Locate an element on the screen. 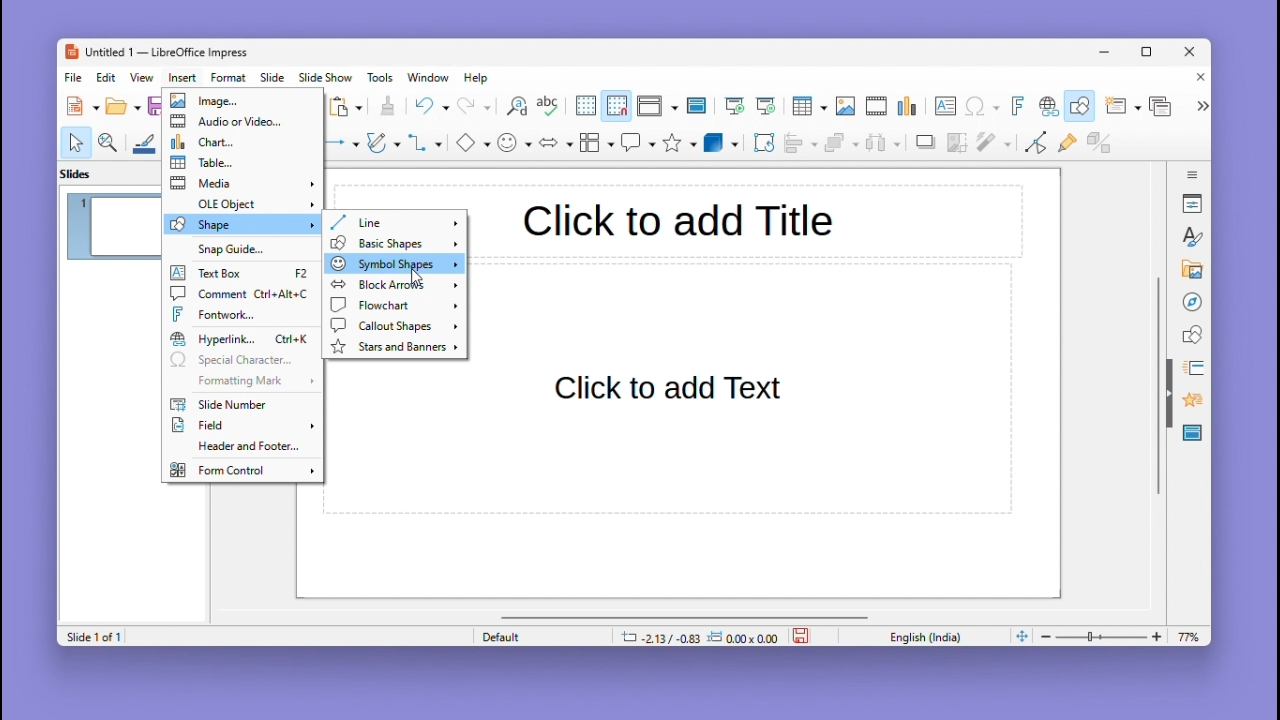 Image resolution: width=1280 pixels, height=720 pixels. Title is located at coordinates (678, 218).